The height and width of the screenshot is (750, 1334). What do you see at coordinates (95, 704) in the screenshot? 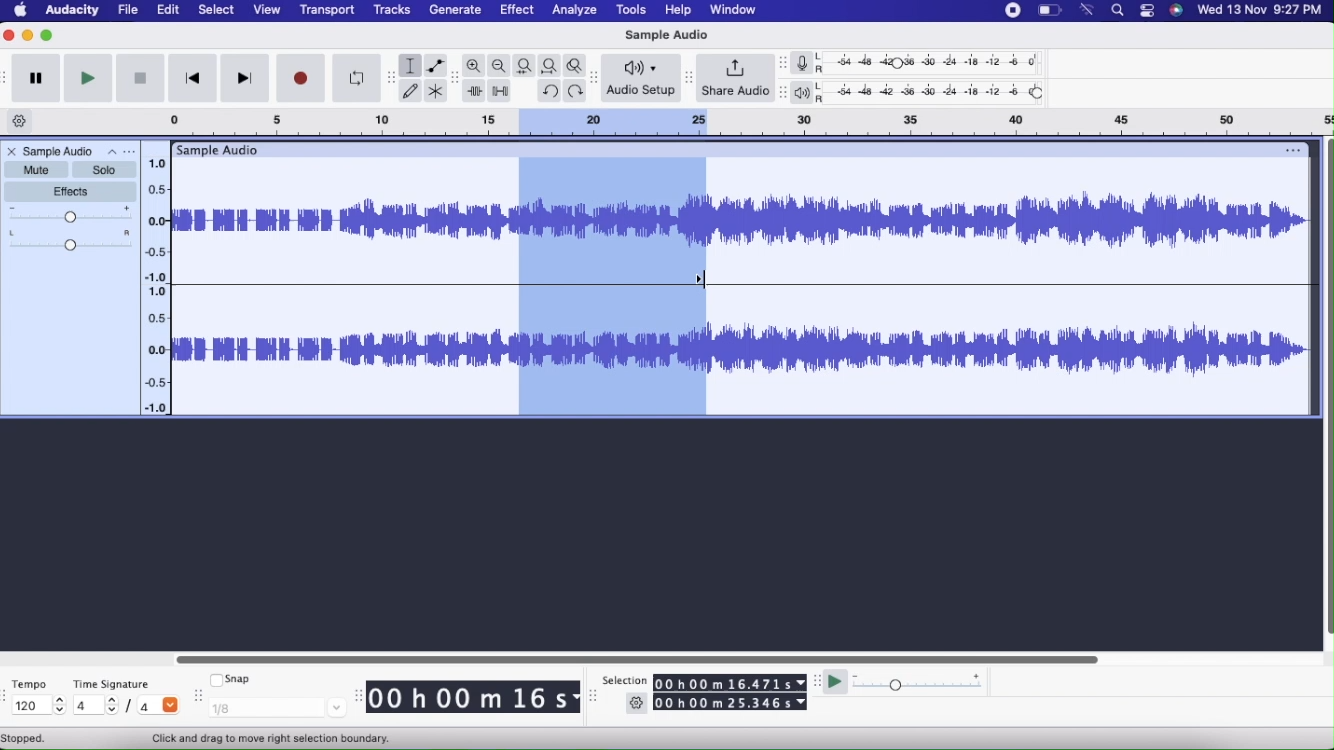
I see `4` at bounding box center [95, 704].